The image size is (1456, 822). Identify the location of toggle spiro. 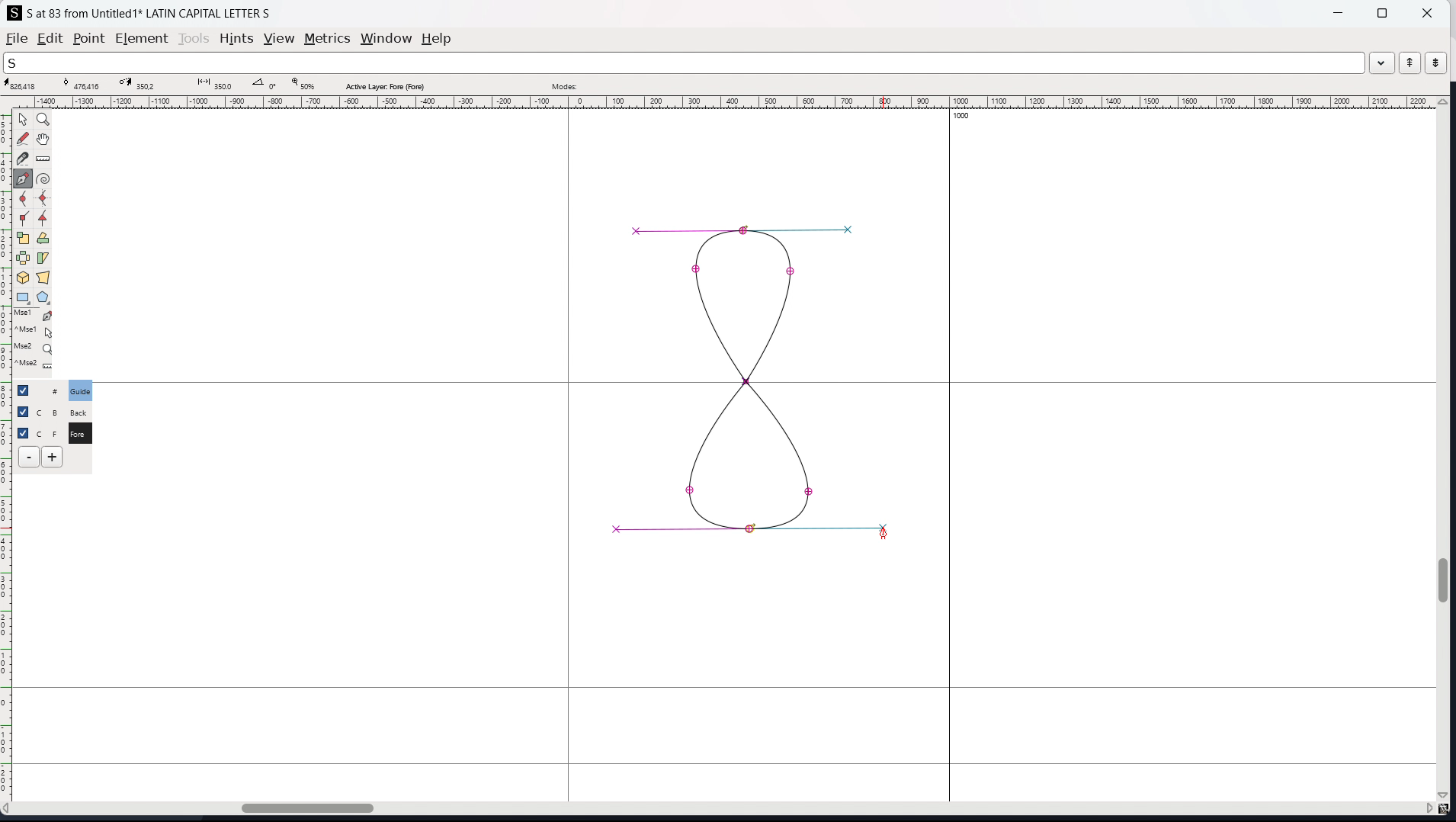
(43, 178).